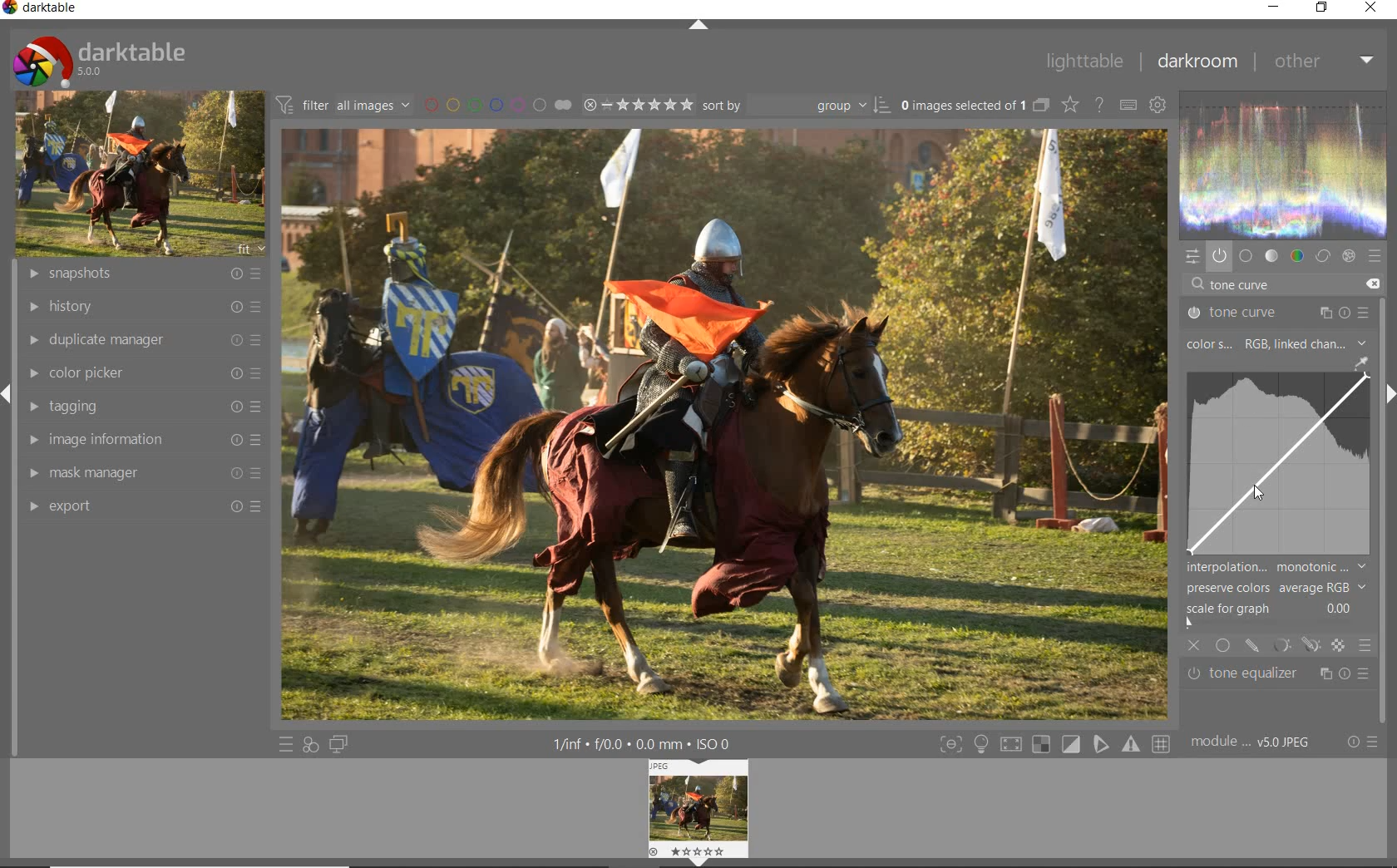 This screenshot has width=1397, height=868. I want to click on enable for online help, so click(1099, 107).